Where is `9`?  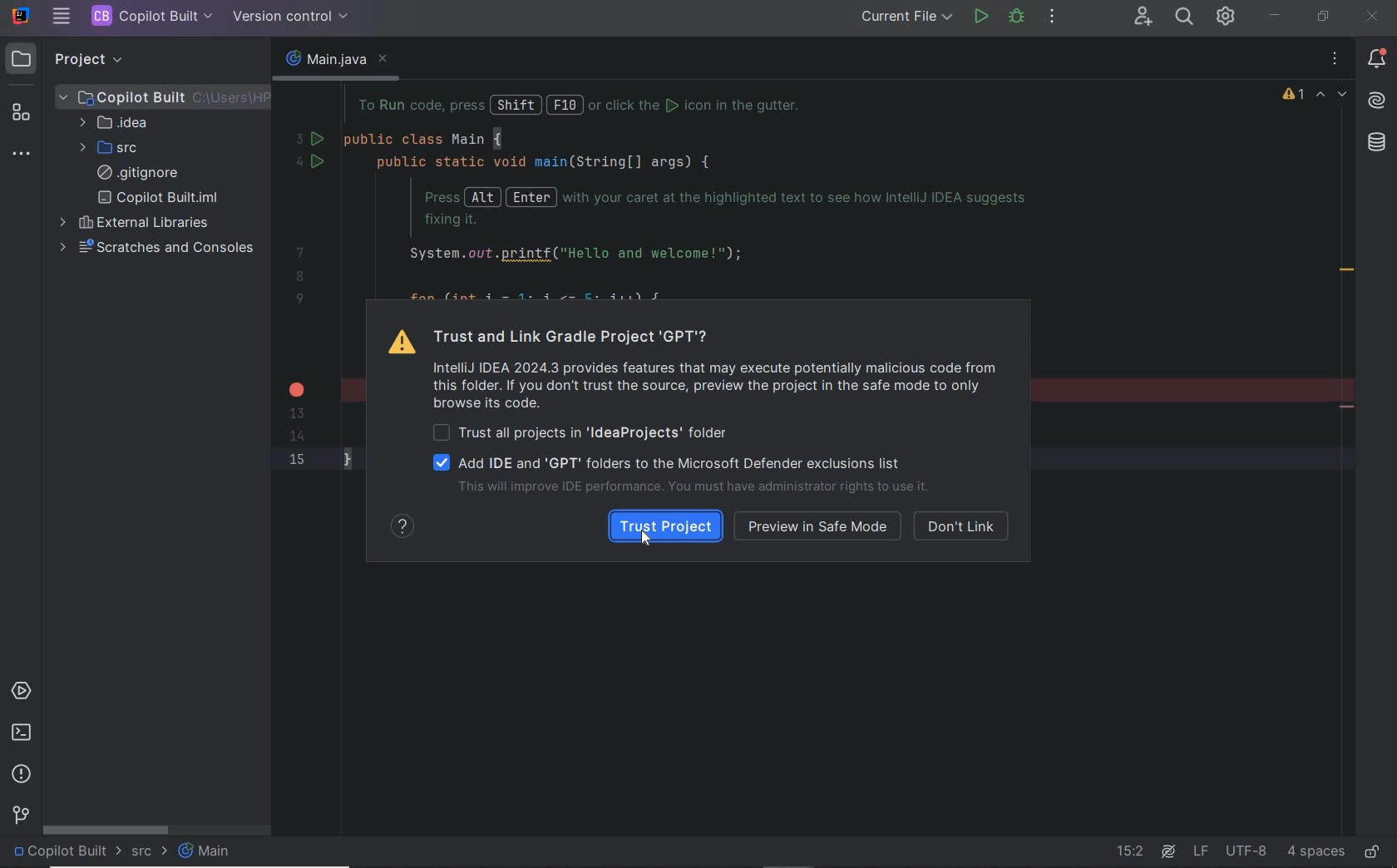 9 is located at coordinates (301, 298).